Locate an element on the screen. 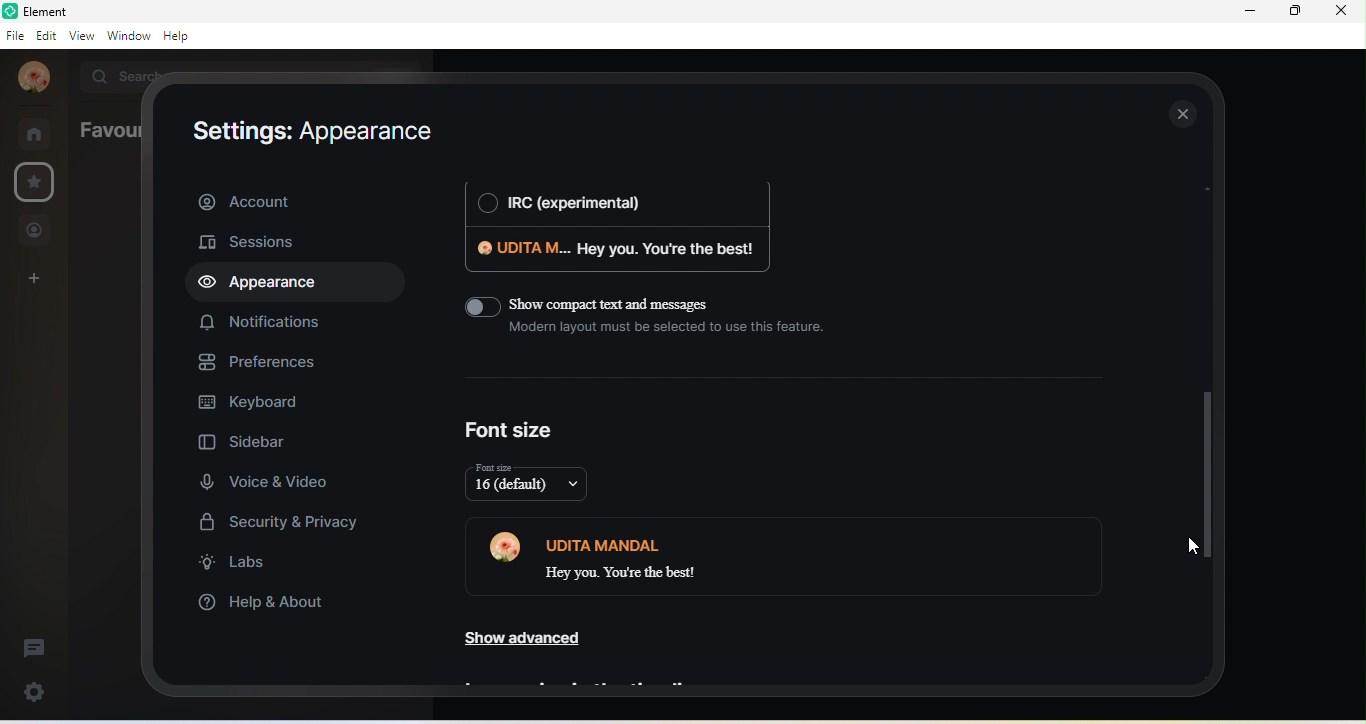 The height and width of the screenshot is (724, 1366). labs is located at coordinates (238, 566).